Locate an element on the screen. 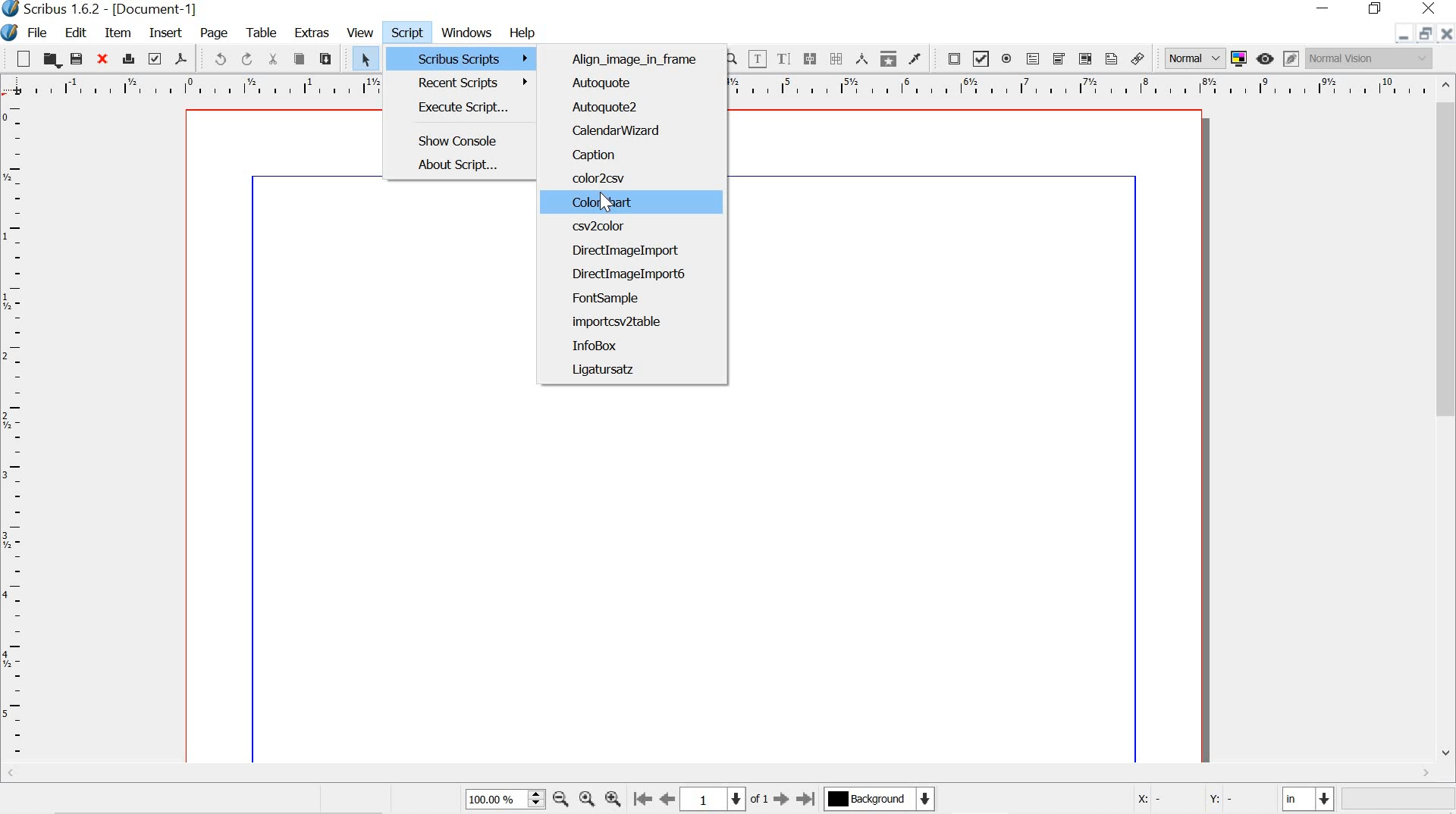  print is located at coordinates (127, 59).